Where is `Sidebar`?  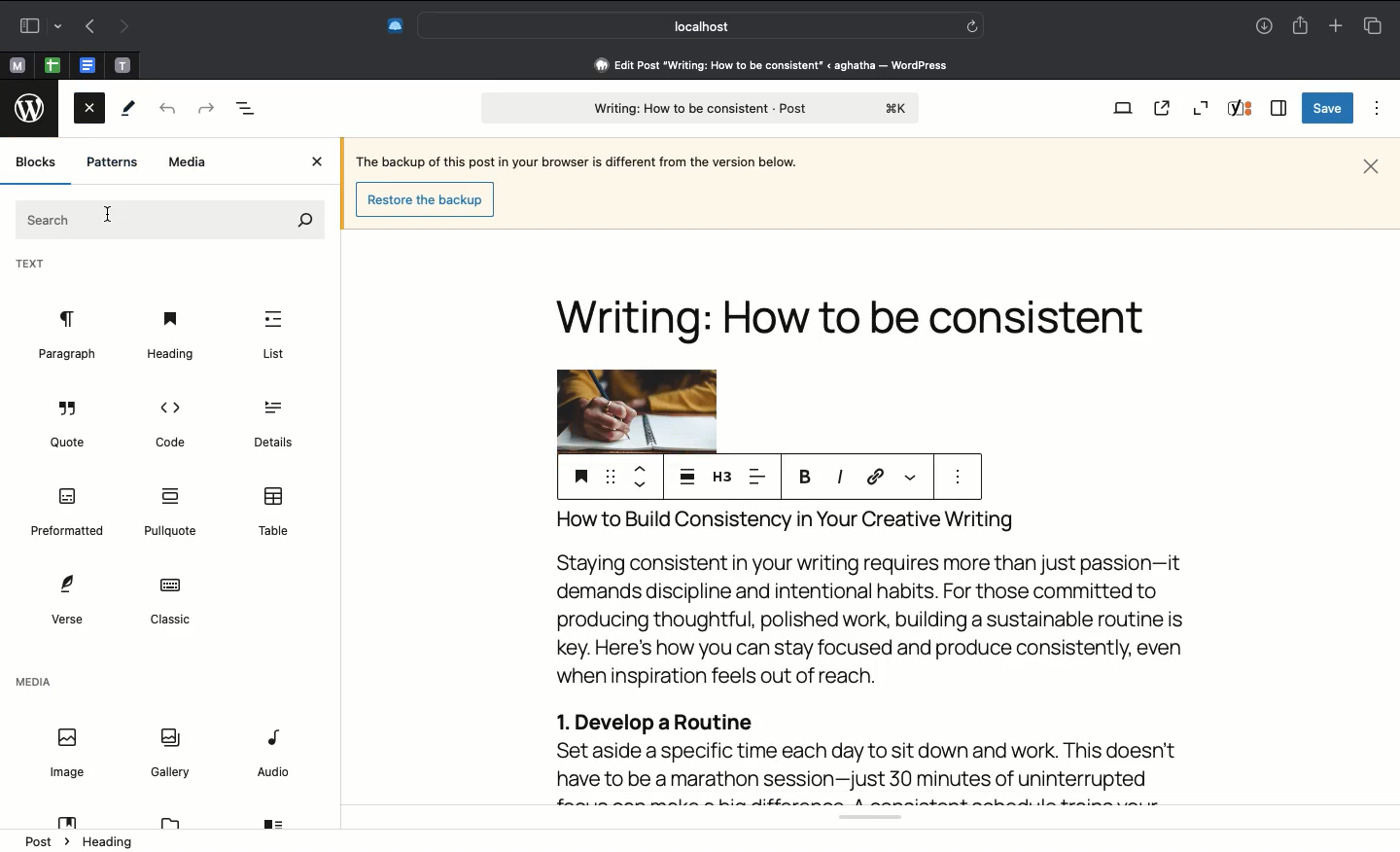
Sidebar is located at coordinates (36, 25).